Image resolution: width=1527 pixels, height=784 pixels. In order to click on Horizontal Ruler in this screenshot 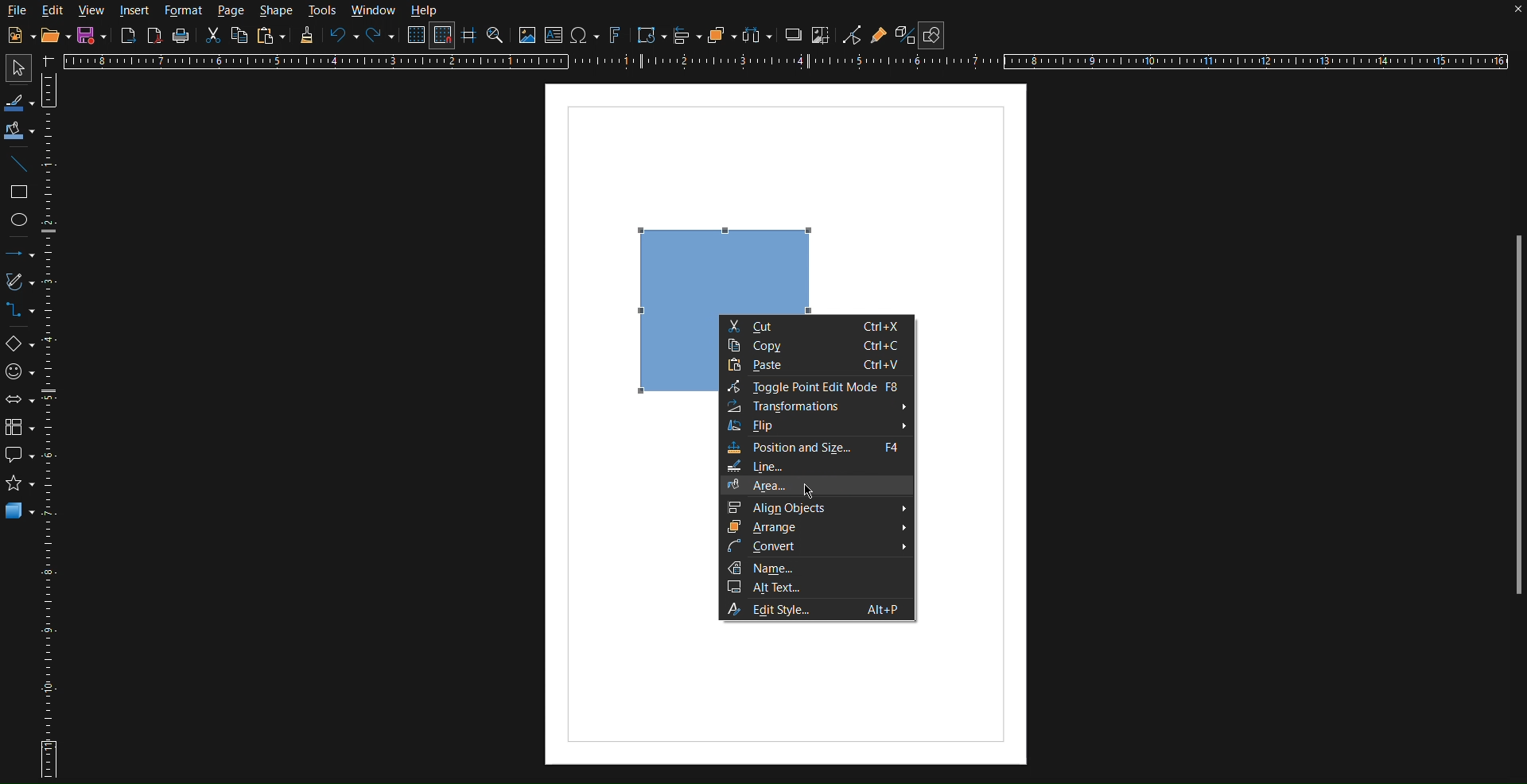, I will do `click(793, 63)`.